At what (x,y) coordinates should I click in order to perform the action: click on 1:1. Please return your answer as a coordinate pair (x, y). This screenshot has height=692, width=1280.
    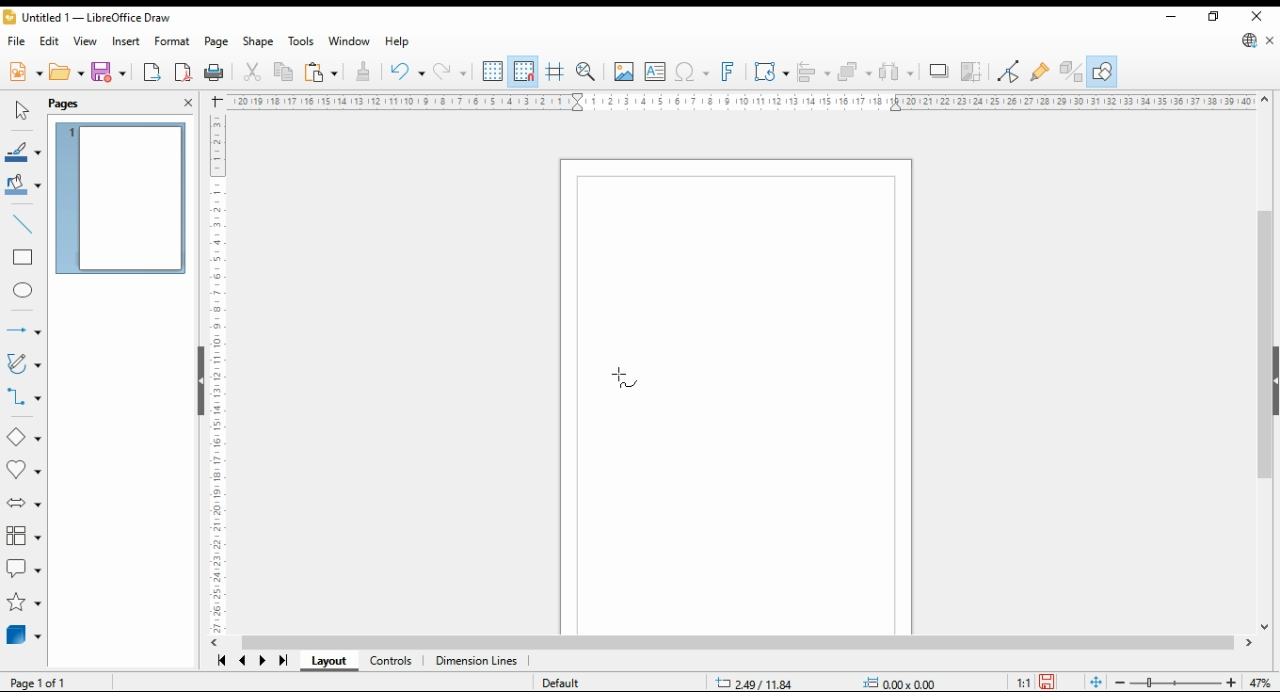
    Looking at the image, I should click on (1018, 684).